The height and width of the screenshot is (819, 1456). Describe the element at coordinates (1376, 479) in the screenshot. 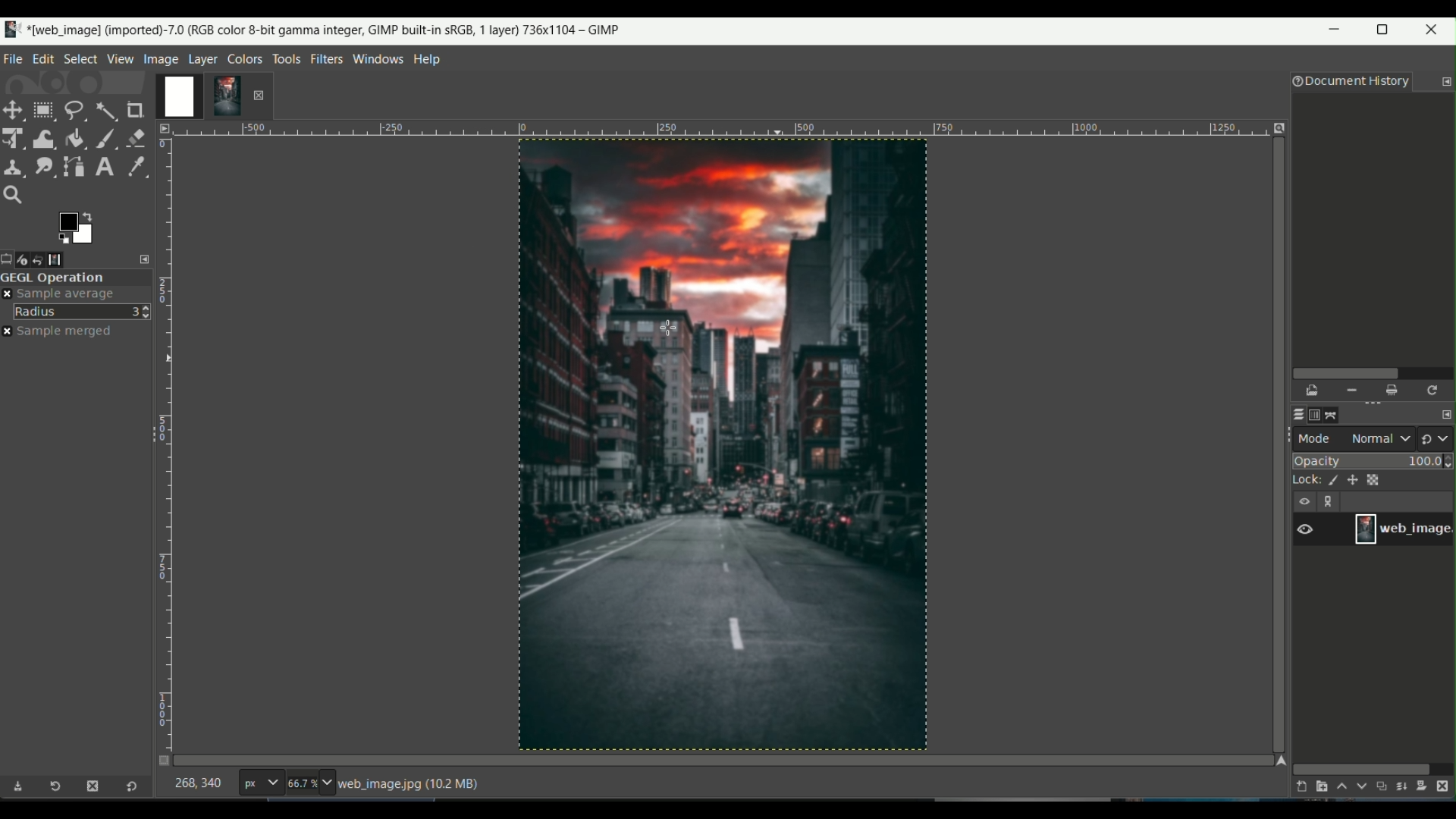

I see `lock alpha channel` at that location.